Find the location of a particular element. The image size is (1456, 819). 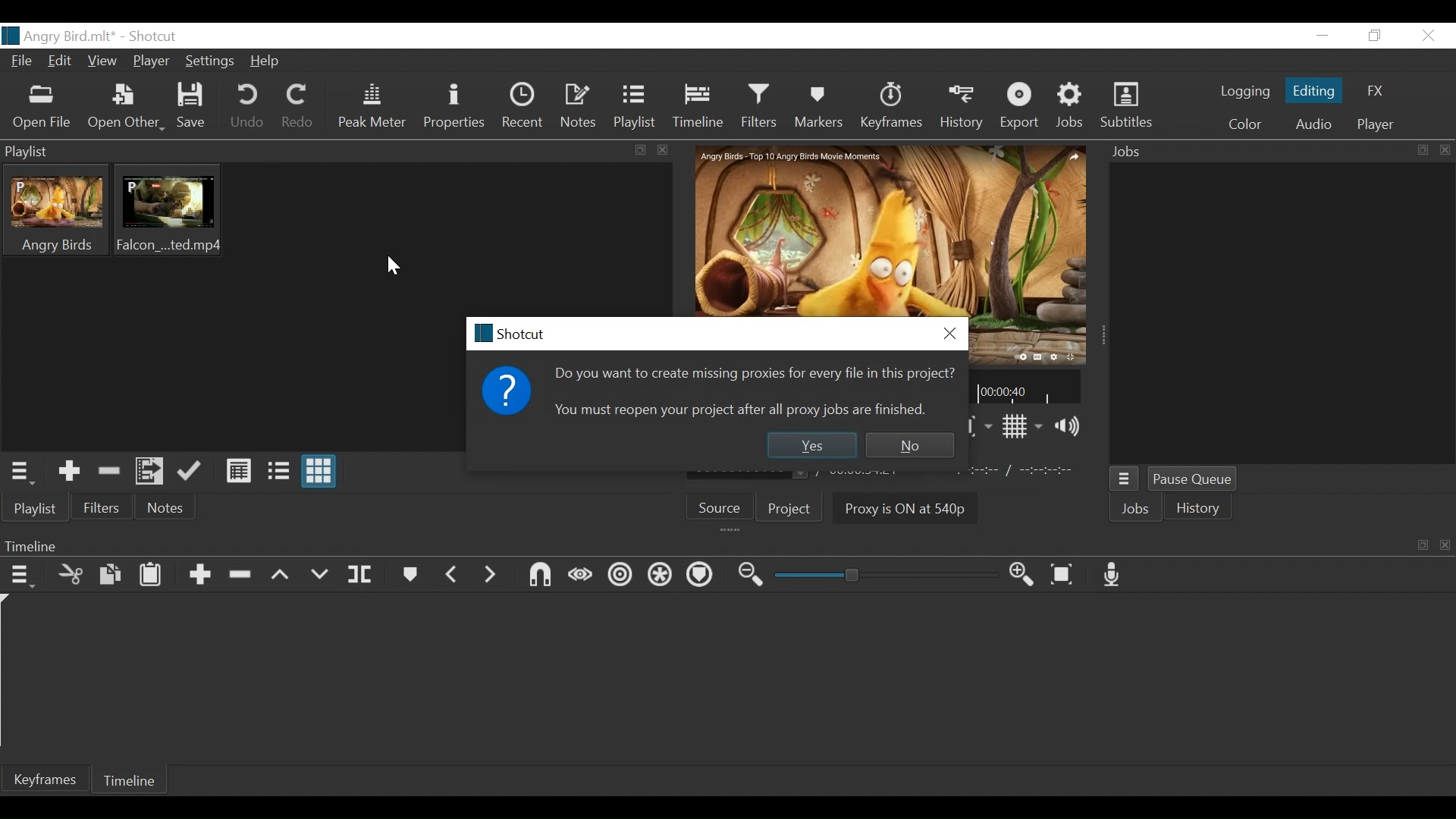

View as icons is located at coordinates (321, 472).